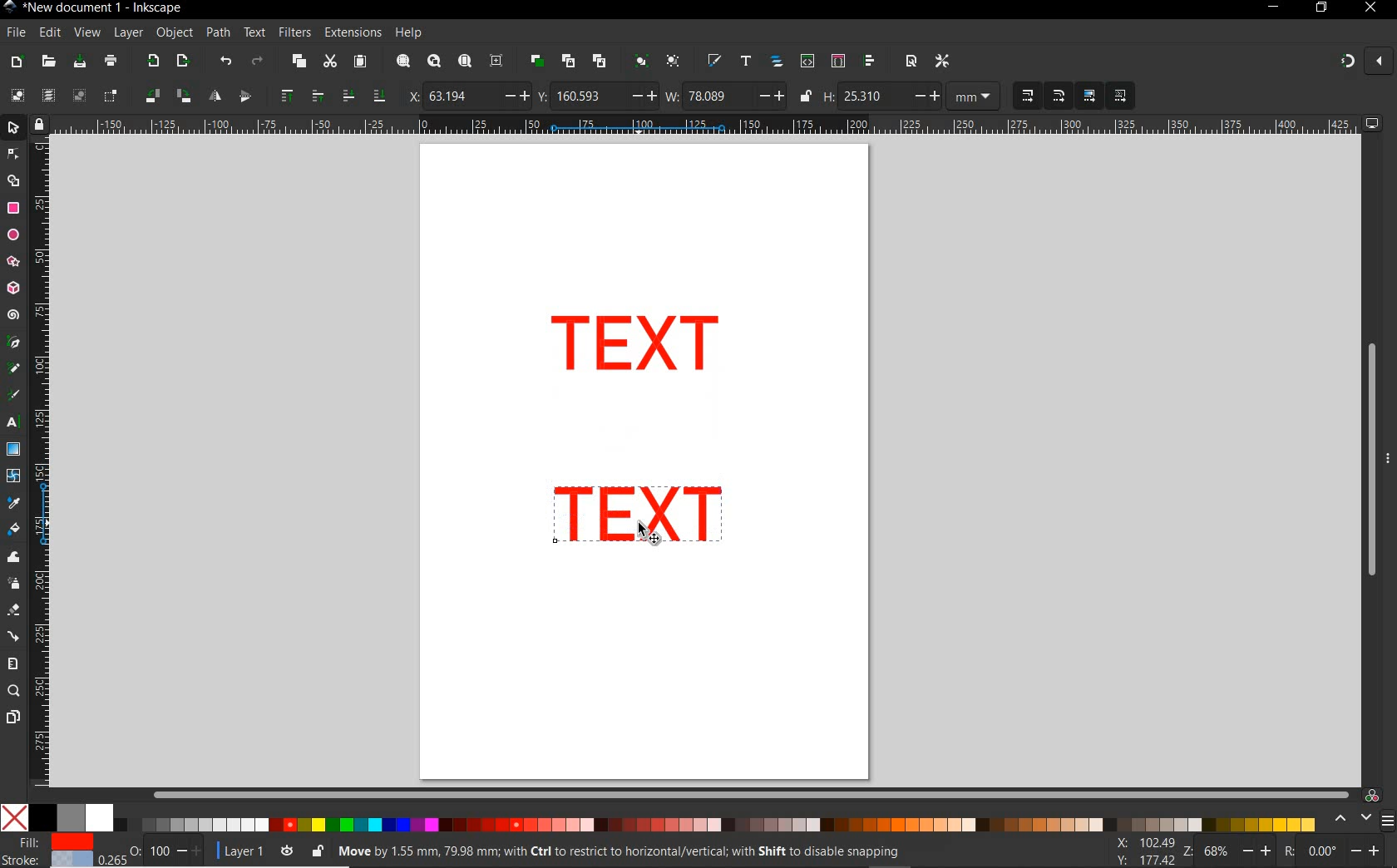  What do you see at coordinates (466, 95) in the screenshot?
I see `horizontal coordinate of selection` at bounding box center [466, 95].